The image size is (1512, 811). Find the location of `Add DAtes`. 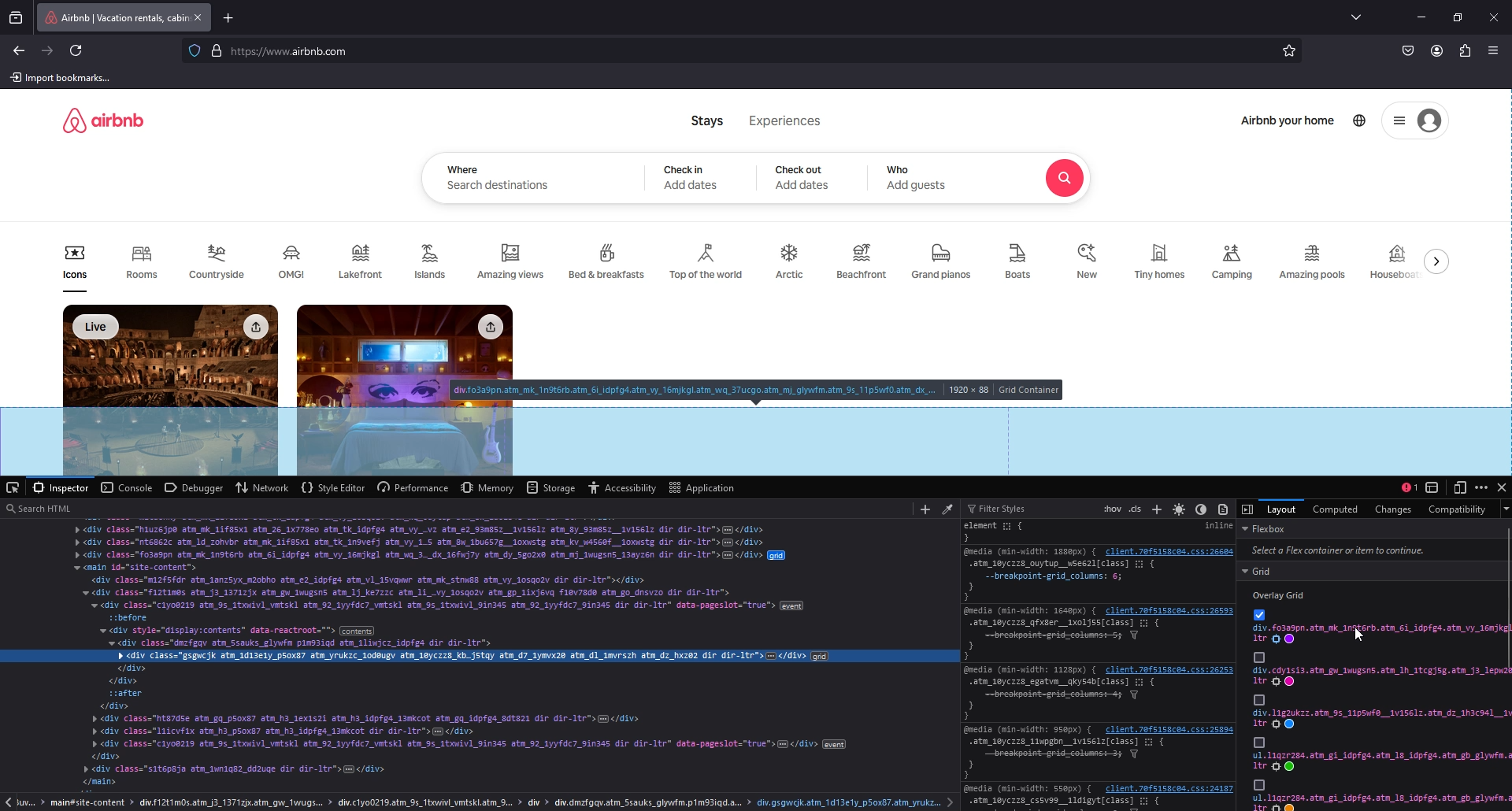

Add DAtes is located at coordinates (693, 185).